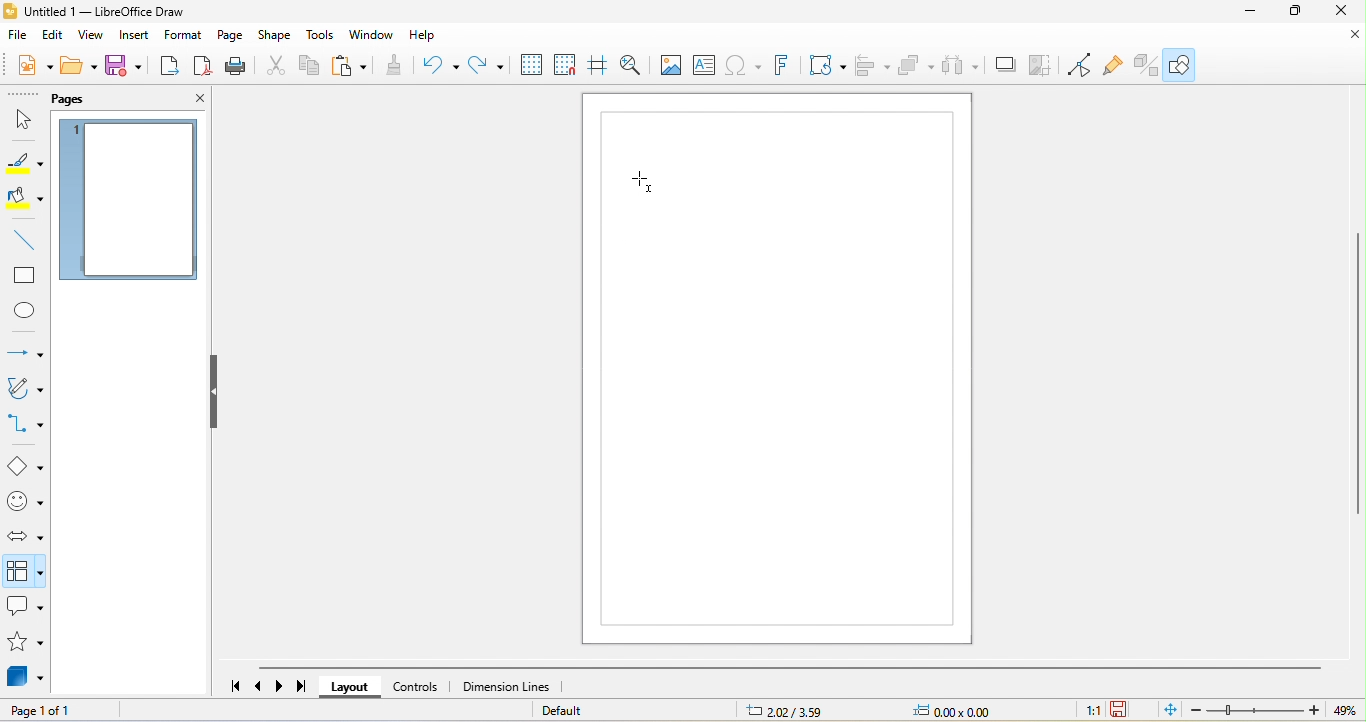 Image resolution: width=1366 pixels, height=722 pixels. Describe the element at coordinates (670, 66) in the screenshot. I see `image` at that location.